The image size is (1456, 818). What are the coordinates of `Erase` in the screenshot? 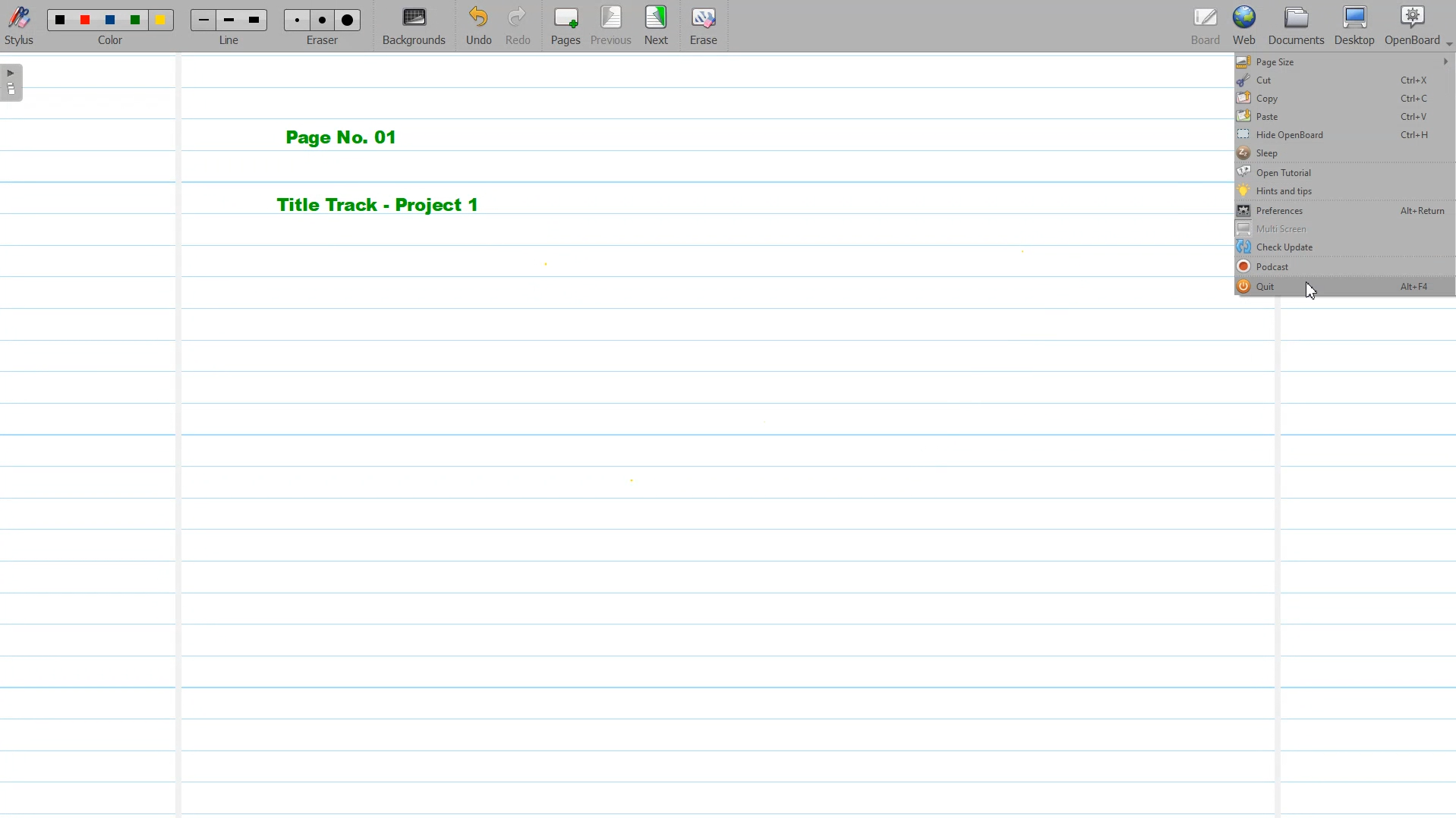 It's located at (703, 25).